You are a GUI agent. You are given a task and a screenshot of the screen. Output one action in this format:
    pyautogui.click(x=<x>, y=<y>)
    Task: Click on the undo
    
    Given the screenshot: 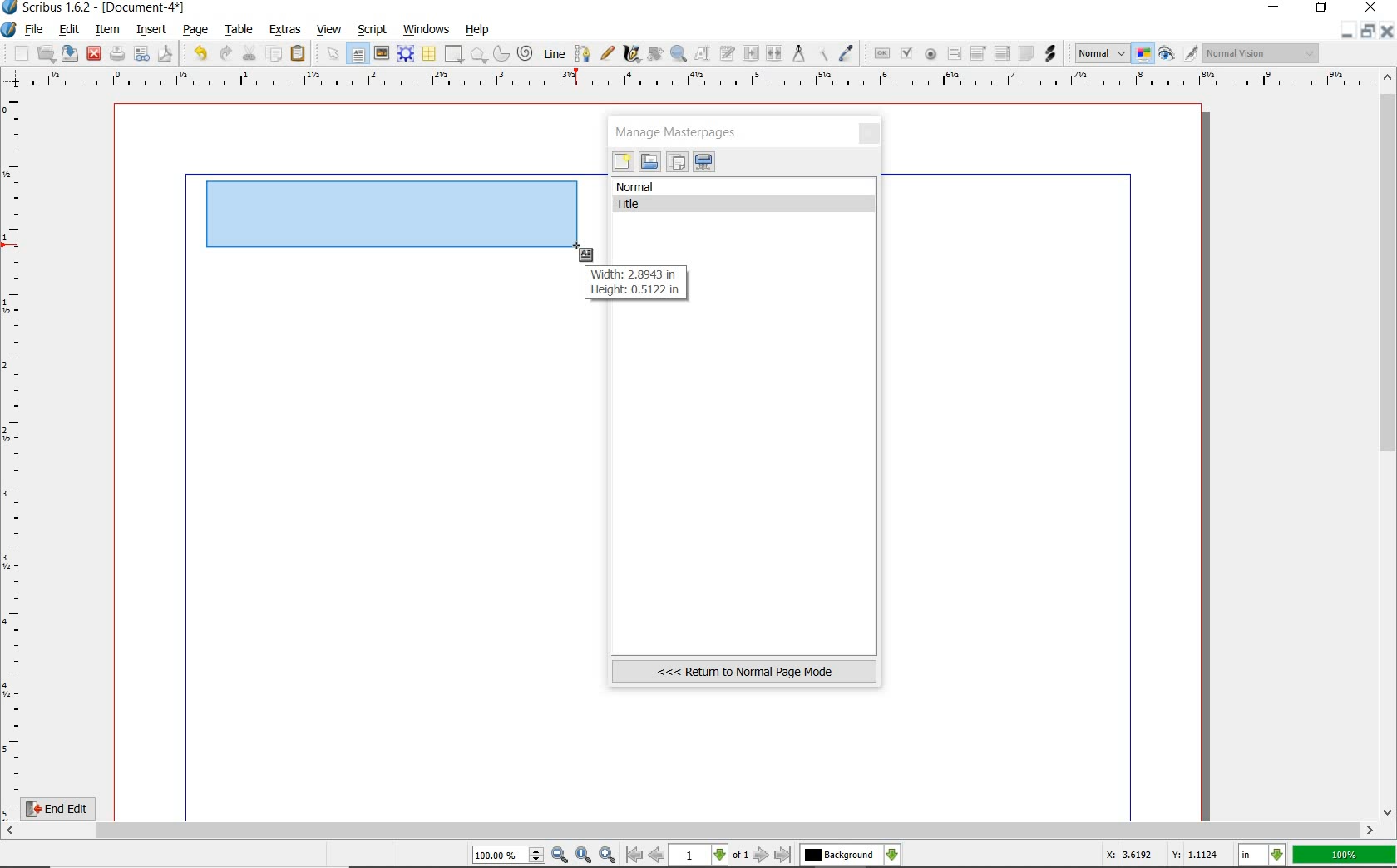 What is the action you would take?
    pyautogui.click(x=197, y=52)
    